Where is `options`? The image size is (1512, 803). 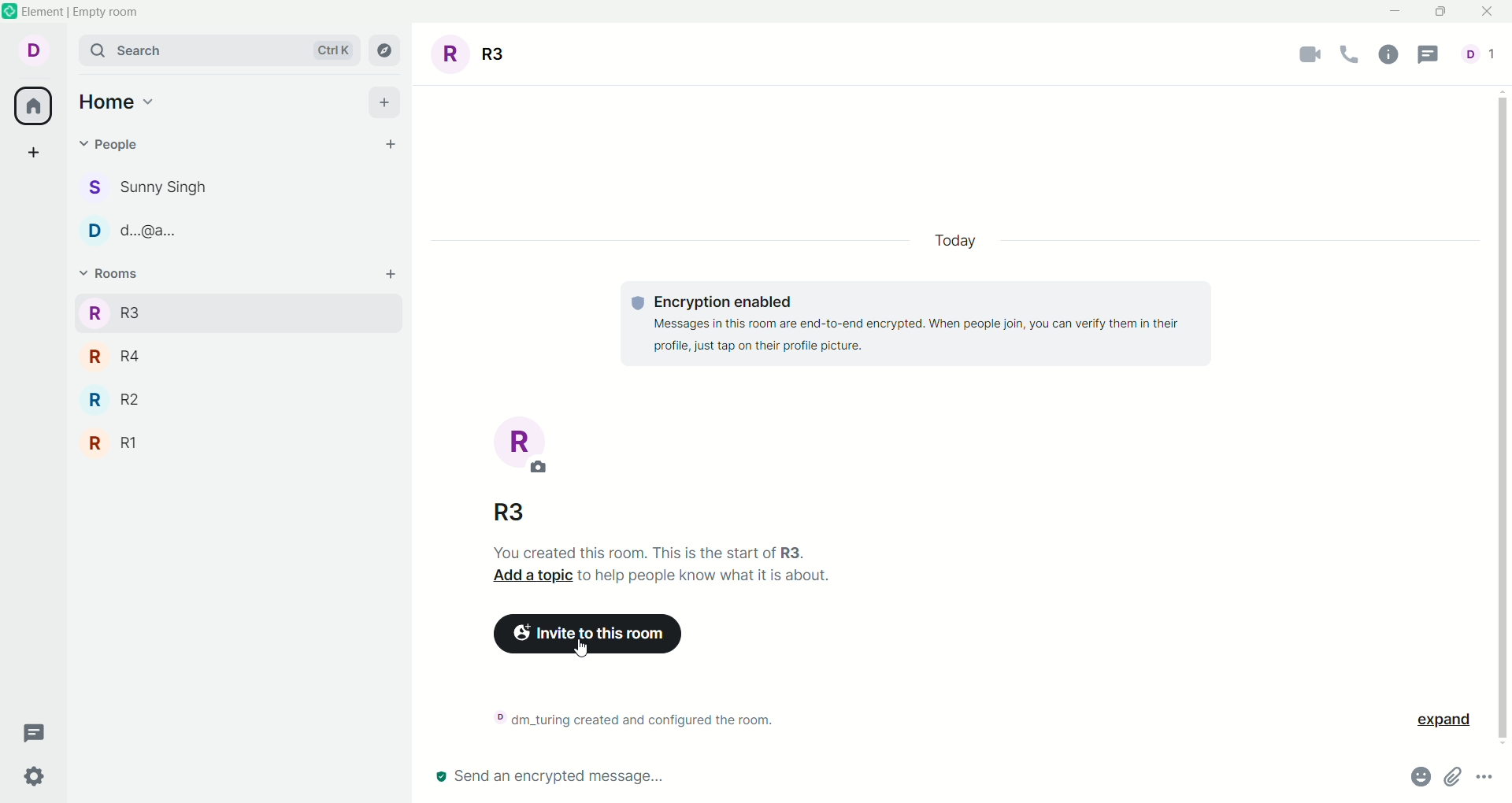
options is located at coordinates (1486, 782).